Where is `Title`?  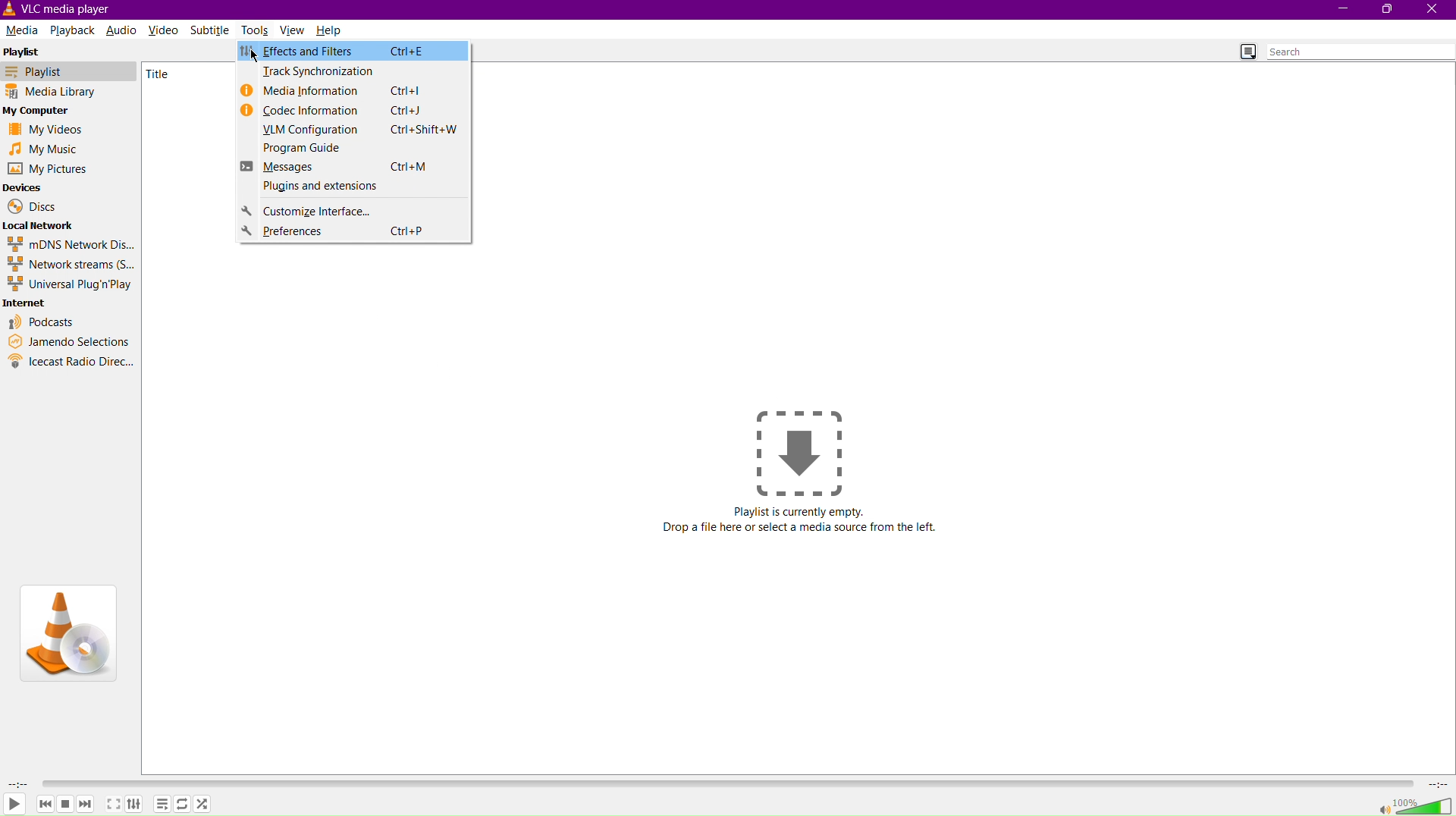 Title is located at coordinates (165, 74).